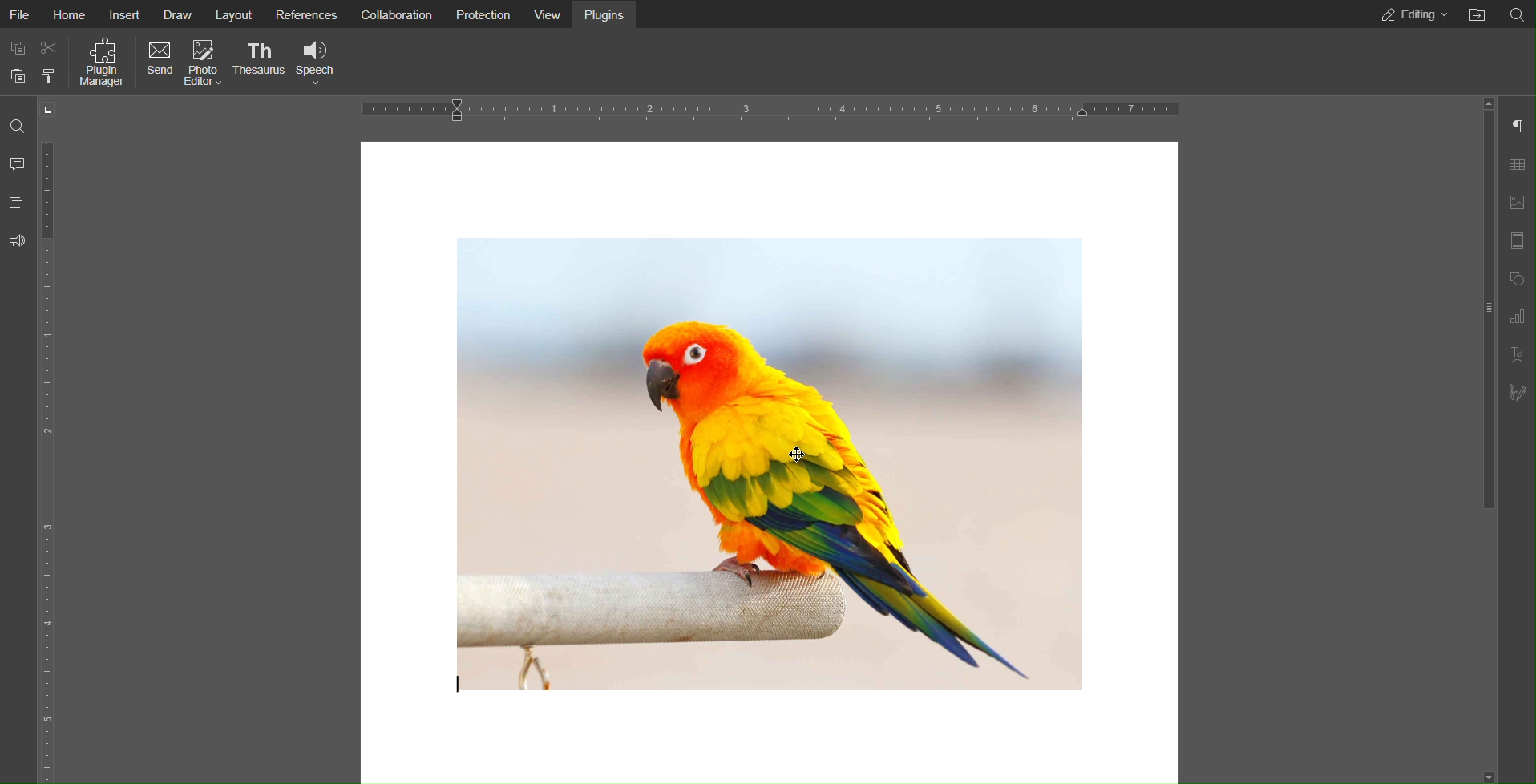 Image resolution: width=1536 pixels, height=784 pixels. I want to click on Collaboration, so click(399, 14).